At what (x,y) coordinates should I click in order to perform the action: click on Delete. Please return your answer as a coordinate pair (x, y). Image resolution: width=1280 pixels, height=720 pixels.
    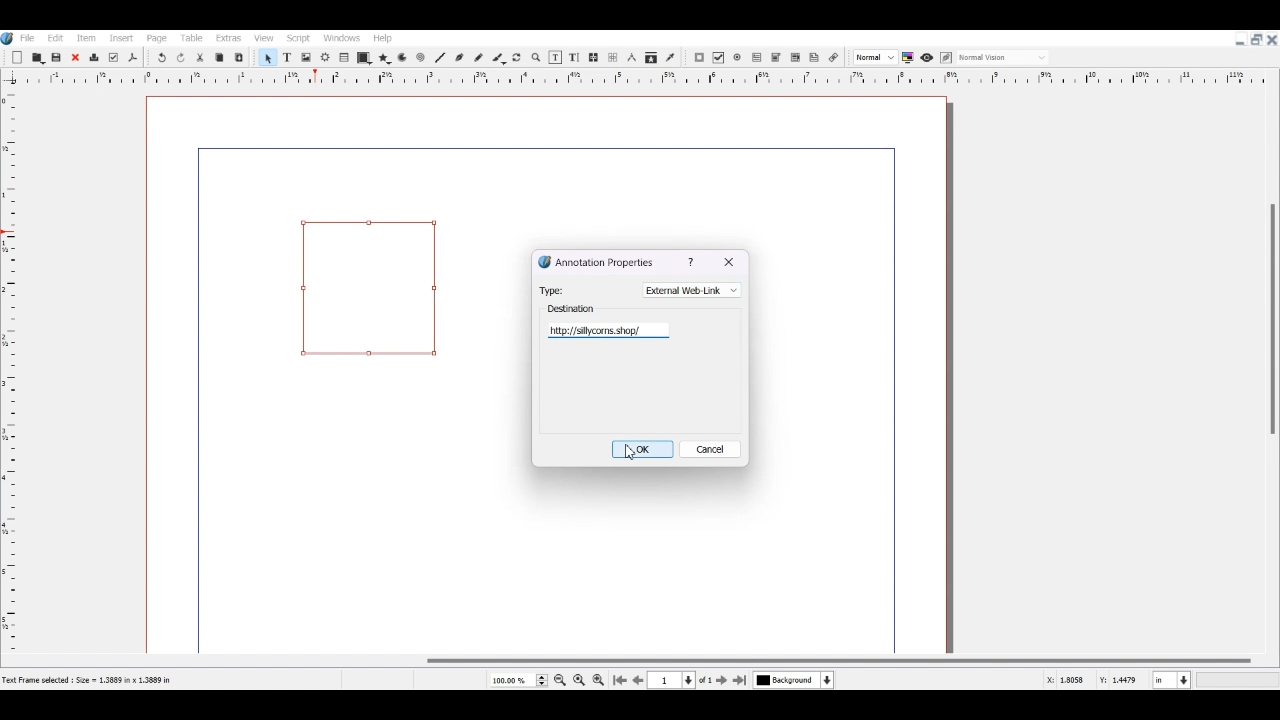
    Looking at the image, I should click on (93, 58).